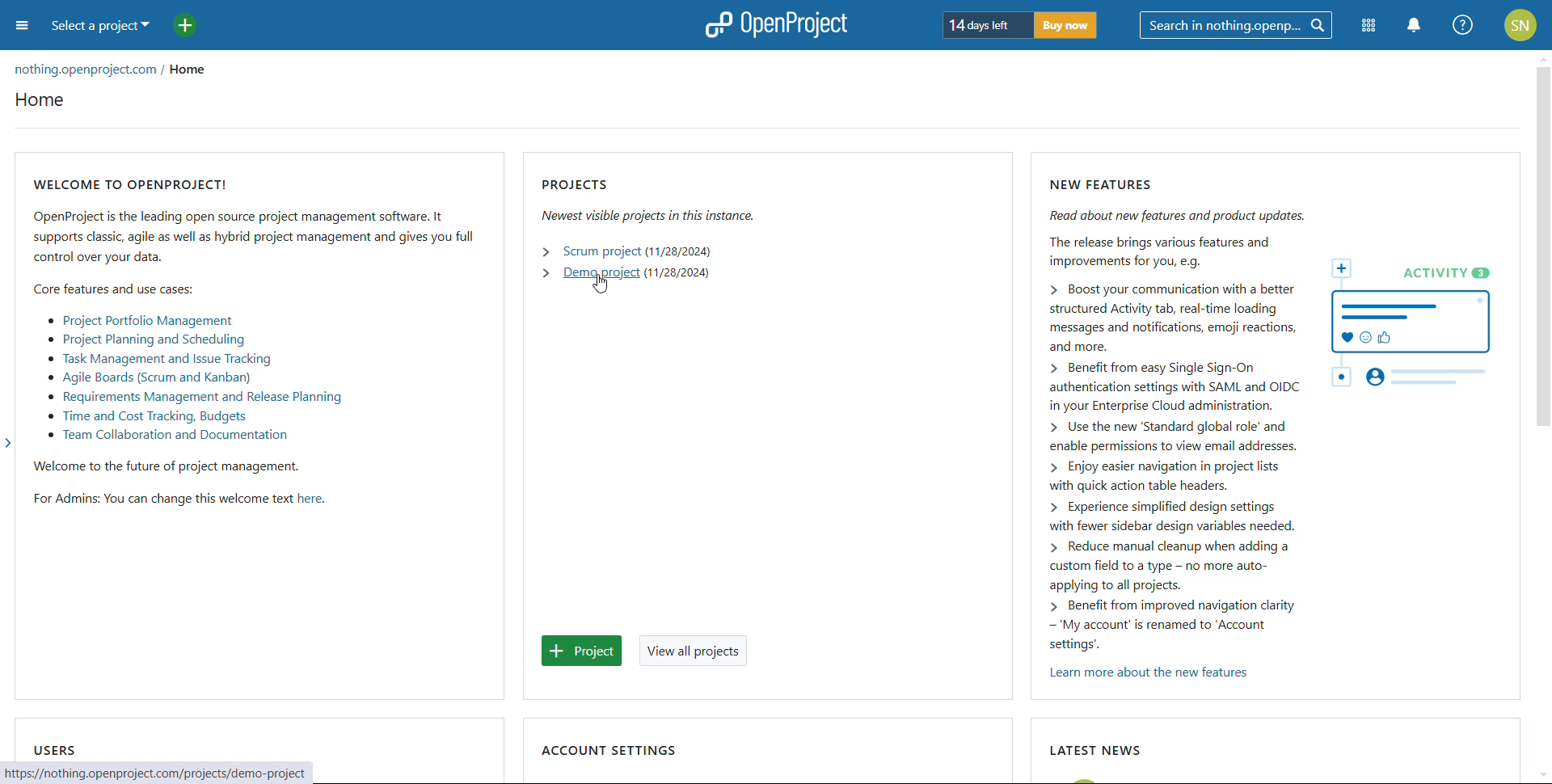 Image resolution: width=1552 pixels, height=784 pixels. I want to click on requirements management, so click(194, 397).